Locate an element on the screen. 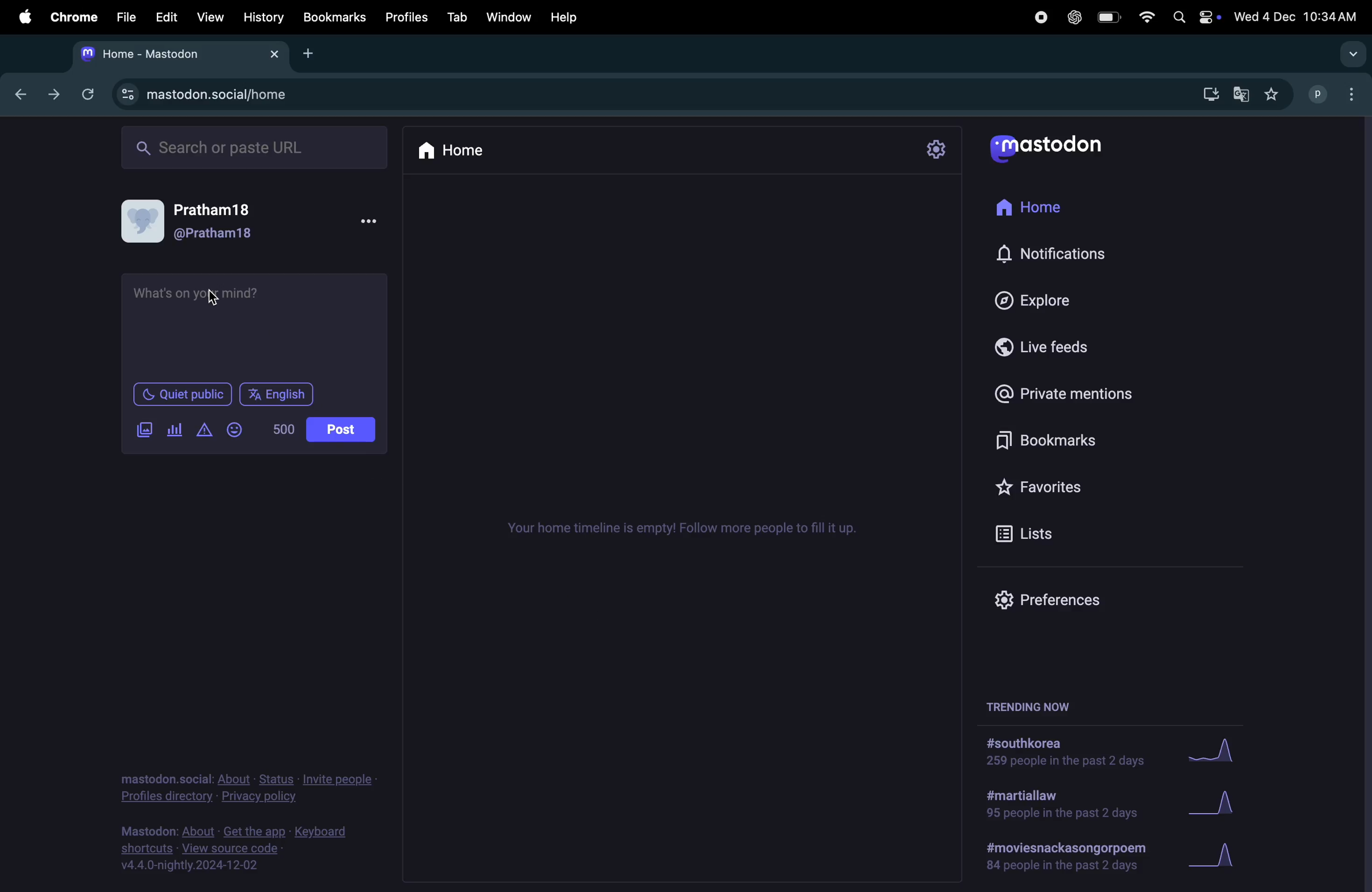 The height and width of the screenshot is (892, 1372). Favourites is located at coordinates (1071, 482).